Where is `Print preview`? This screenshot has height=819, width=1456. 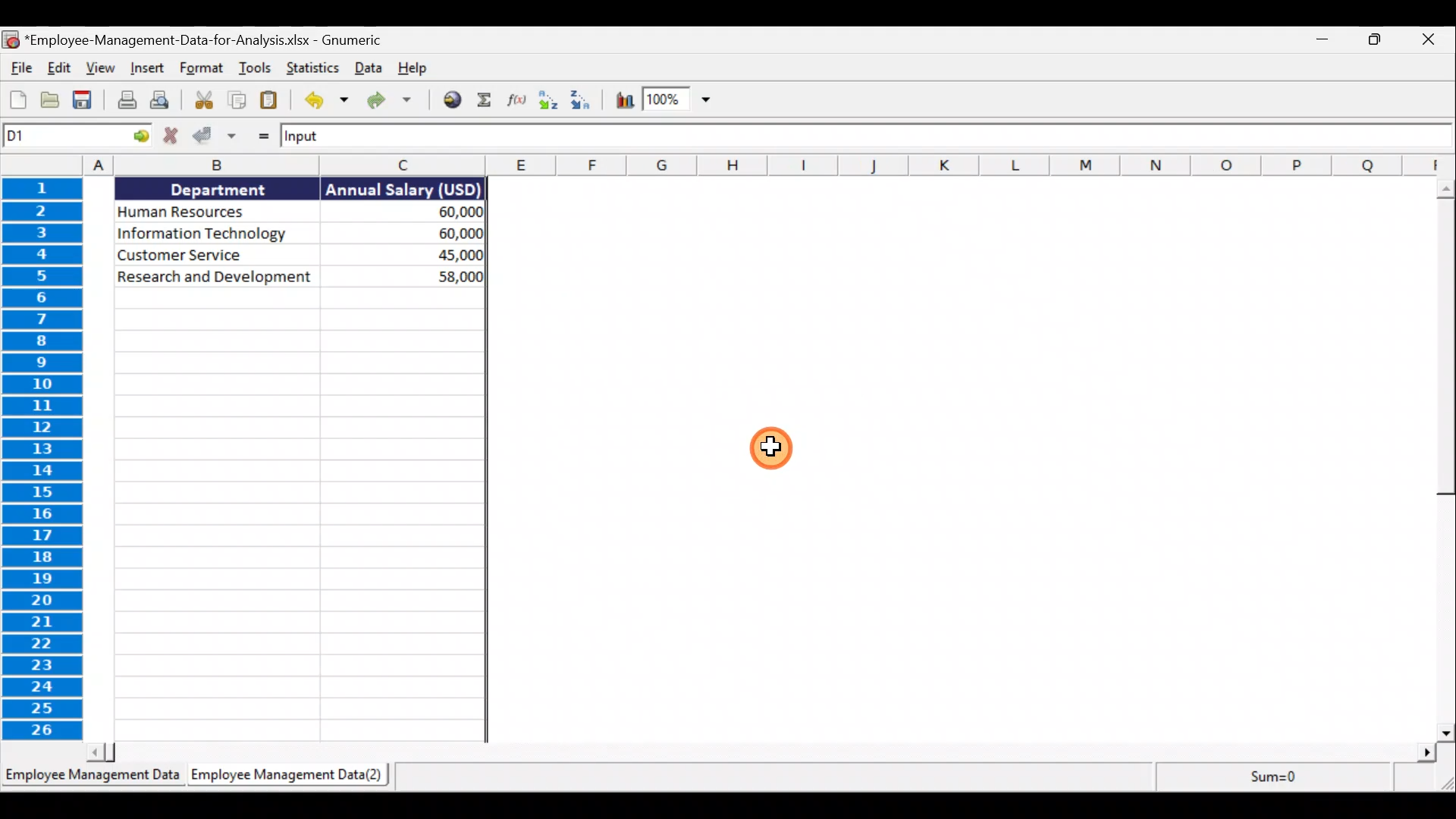 Print preview is located at coordinates (162, 101).